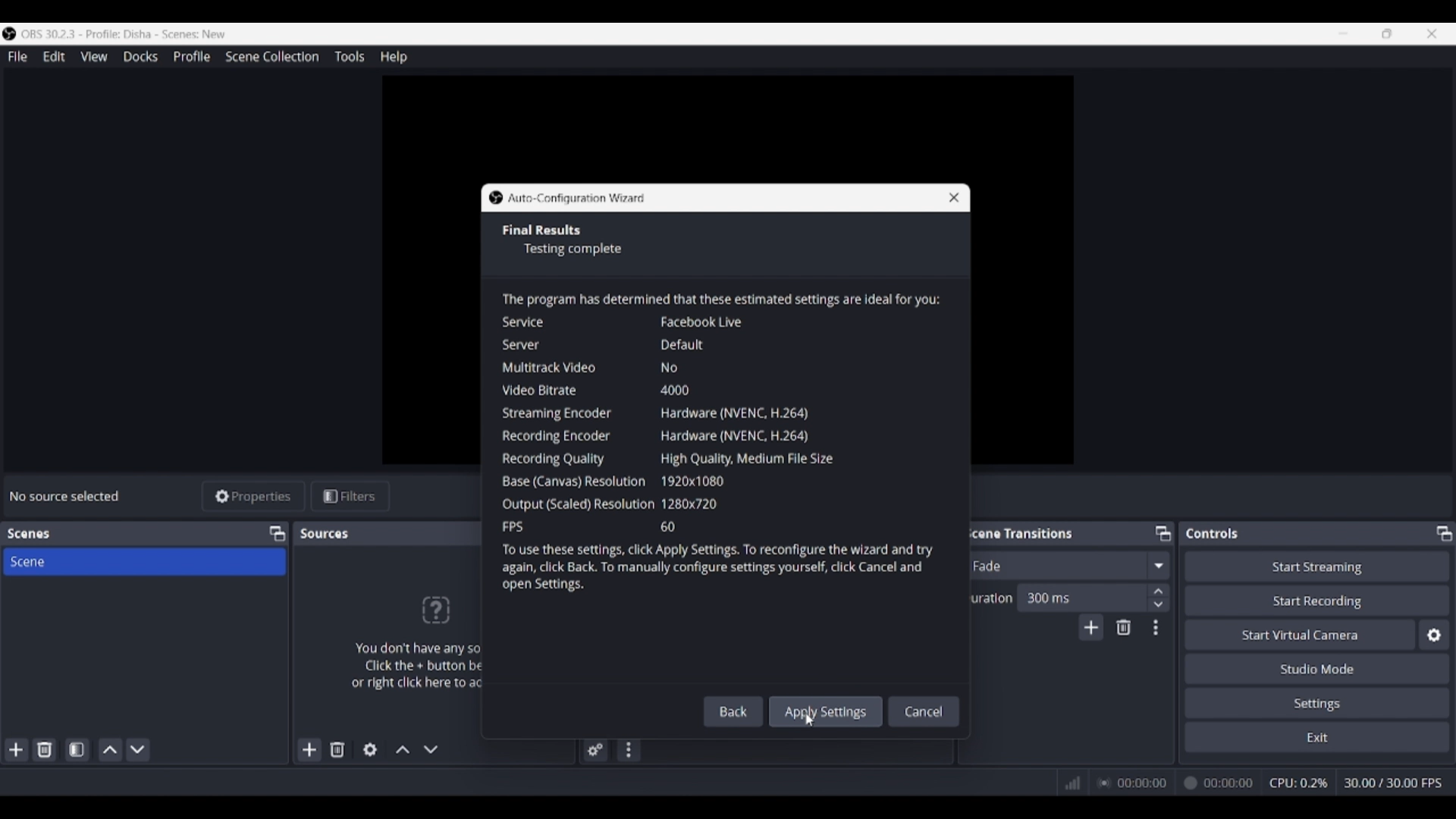 This screenshot has width=1456, height=819. What do you see at coordinates (577, 199) in the screenshot?
I see `Window title` at bounding box center [577, 199].